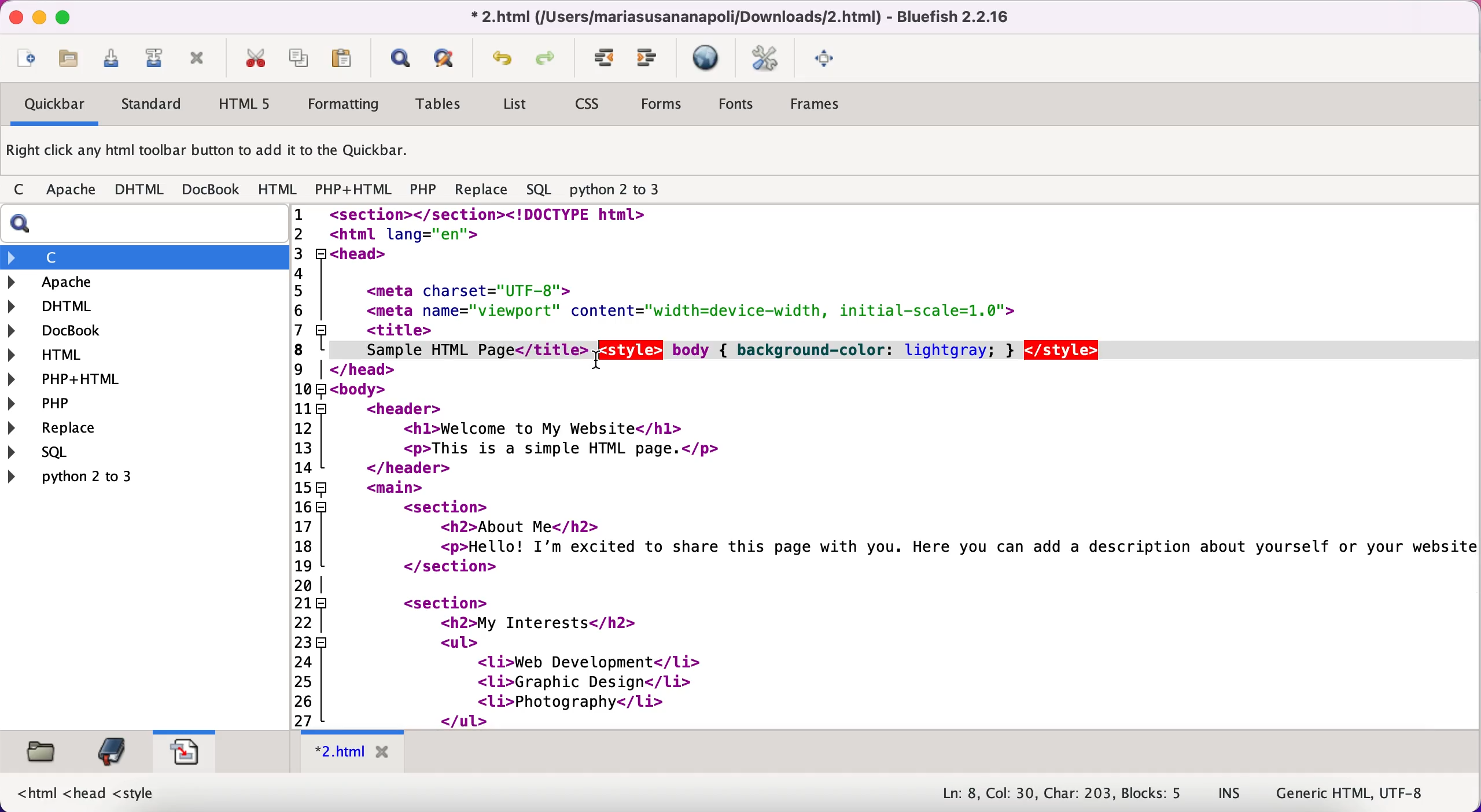 The height and width of the screenshot is (812, 1481). Describe the element at coordinates (355, 752) in the screenshot. I see `* 2.html` at that location.